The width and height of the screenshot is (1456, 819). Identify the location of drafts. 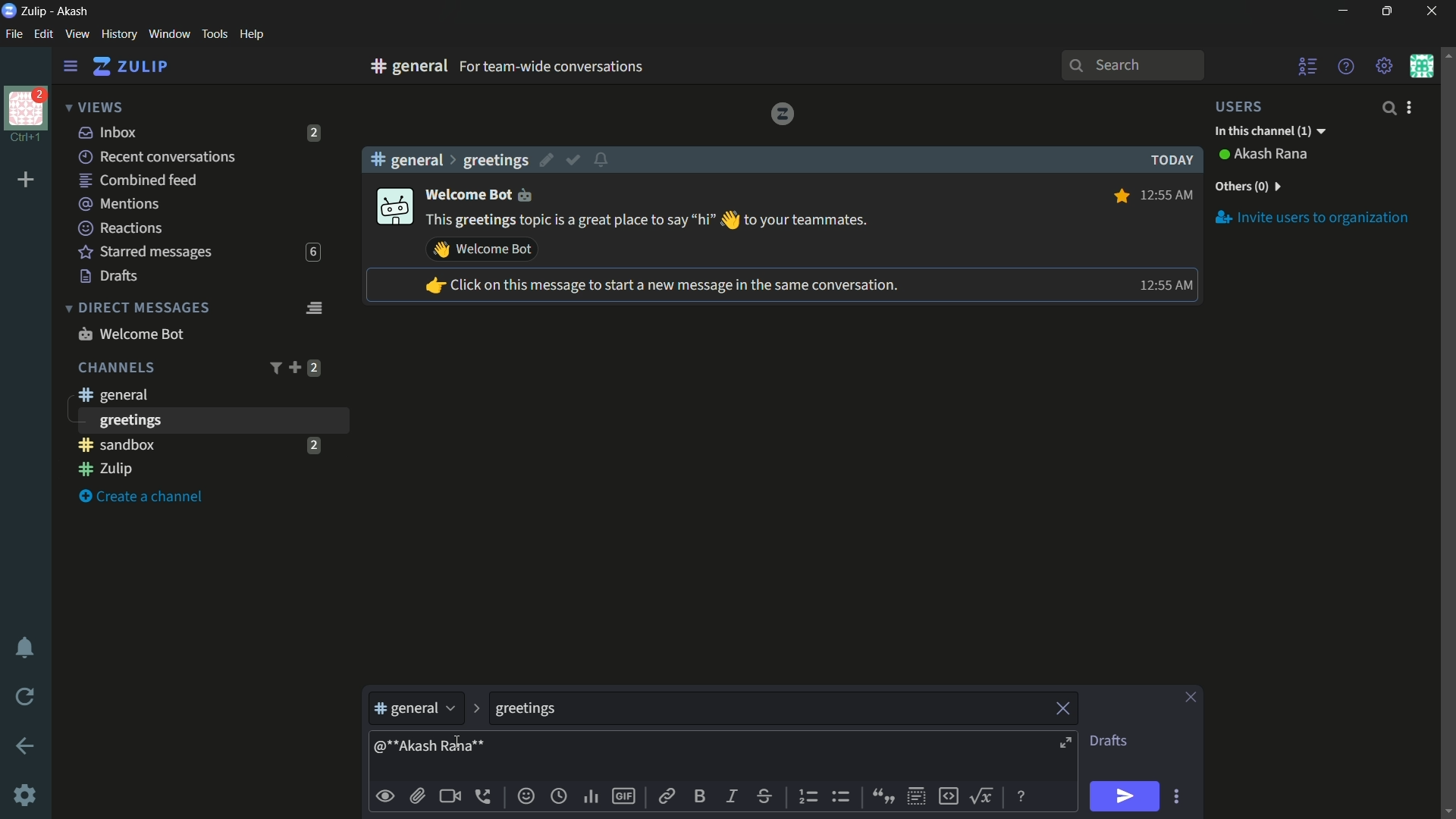
(109, 276).